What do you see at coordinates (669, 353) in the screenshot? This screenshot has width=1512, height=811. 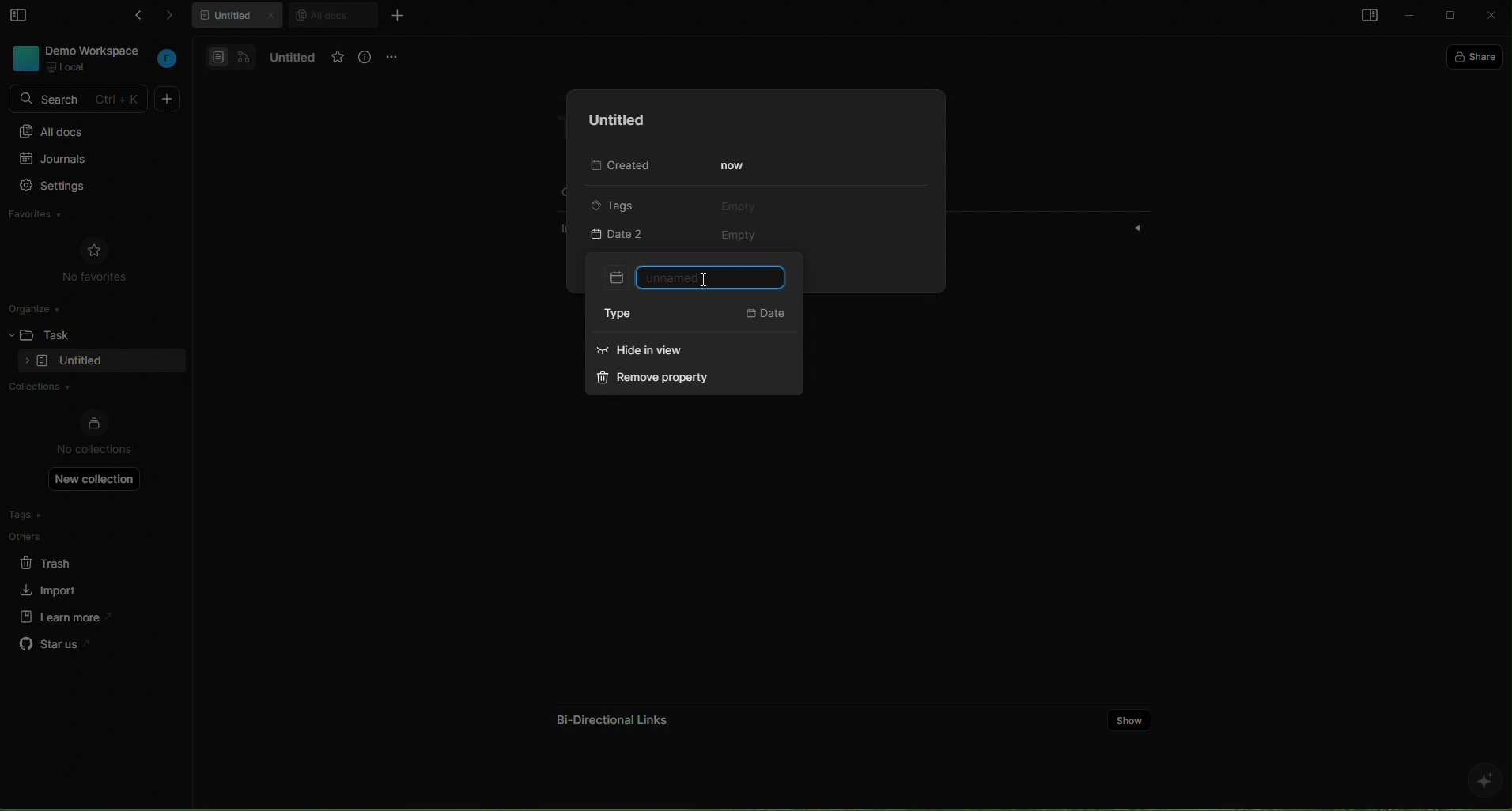 I see `hide in view` at bounding box center [669, 353].